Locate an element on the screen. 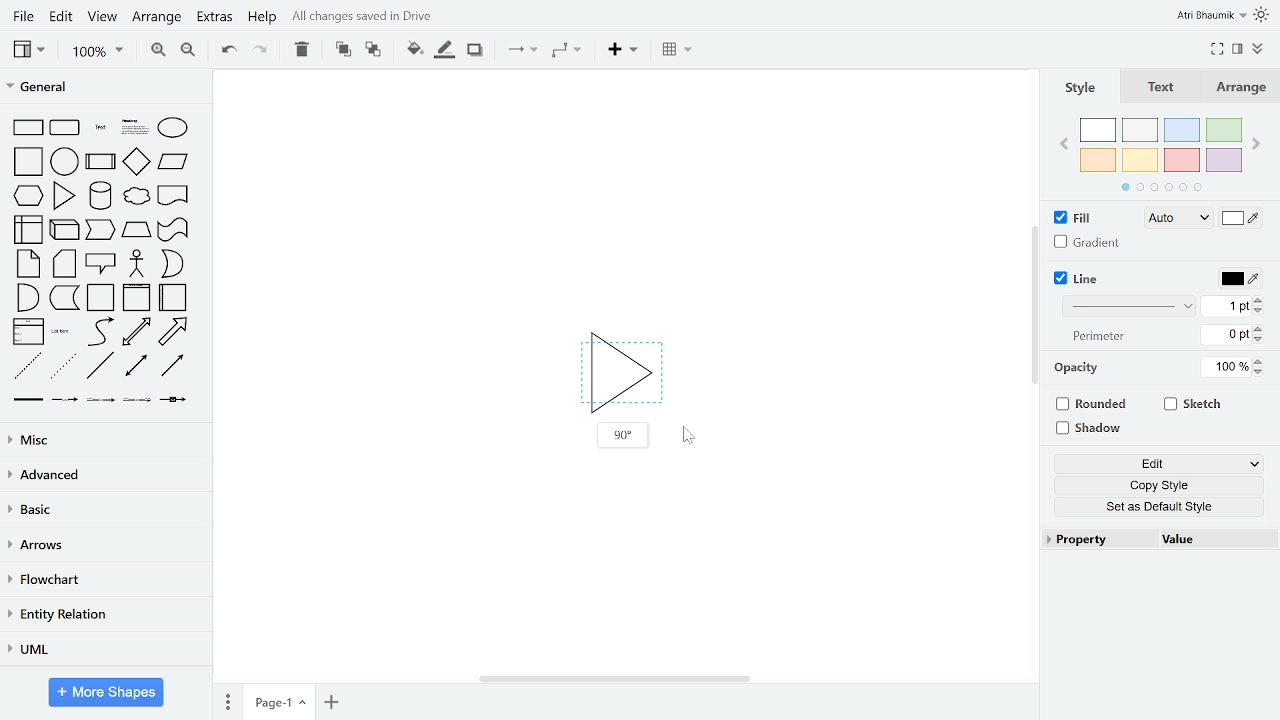 The width and height of the screenshot is (1280, 720). bidirectional arrow is located at coordinates (135, 367).